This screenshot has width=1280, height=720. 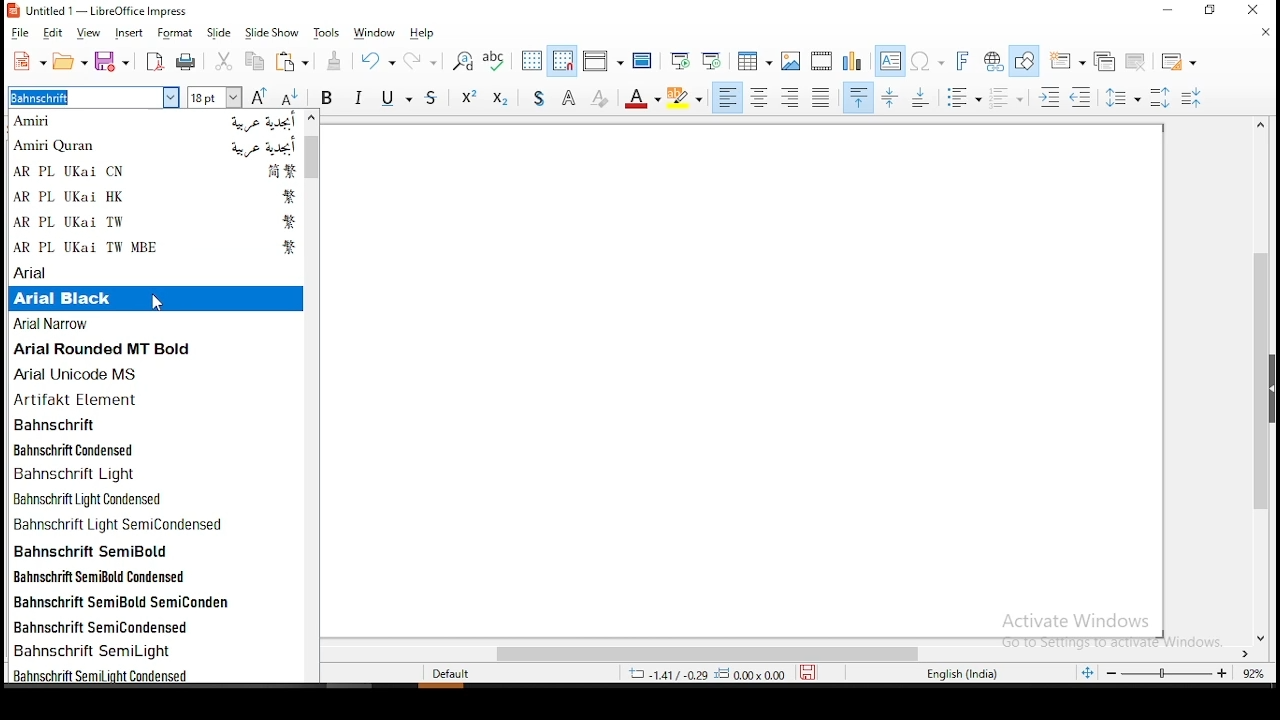 What do you see at coordinates (1181, 57) in the screenshot?
I see `slide layout` at bounding box center [1181, 57].